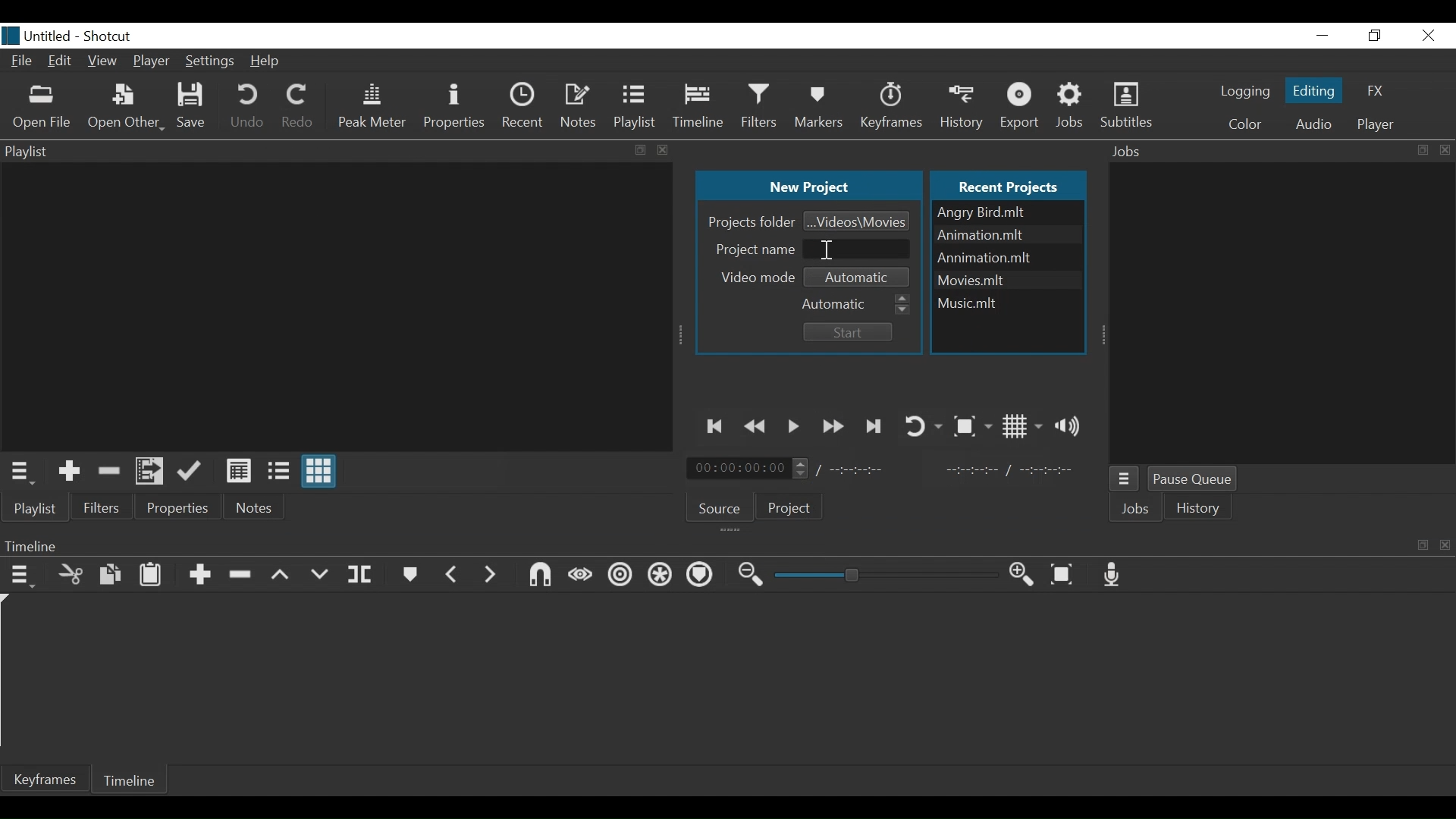 This screenshot has width=1456, height=819. Describe the element at coordinates (22, 62) in the screenshot. I see `File` at that location.